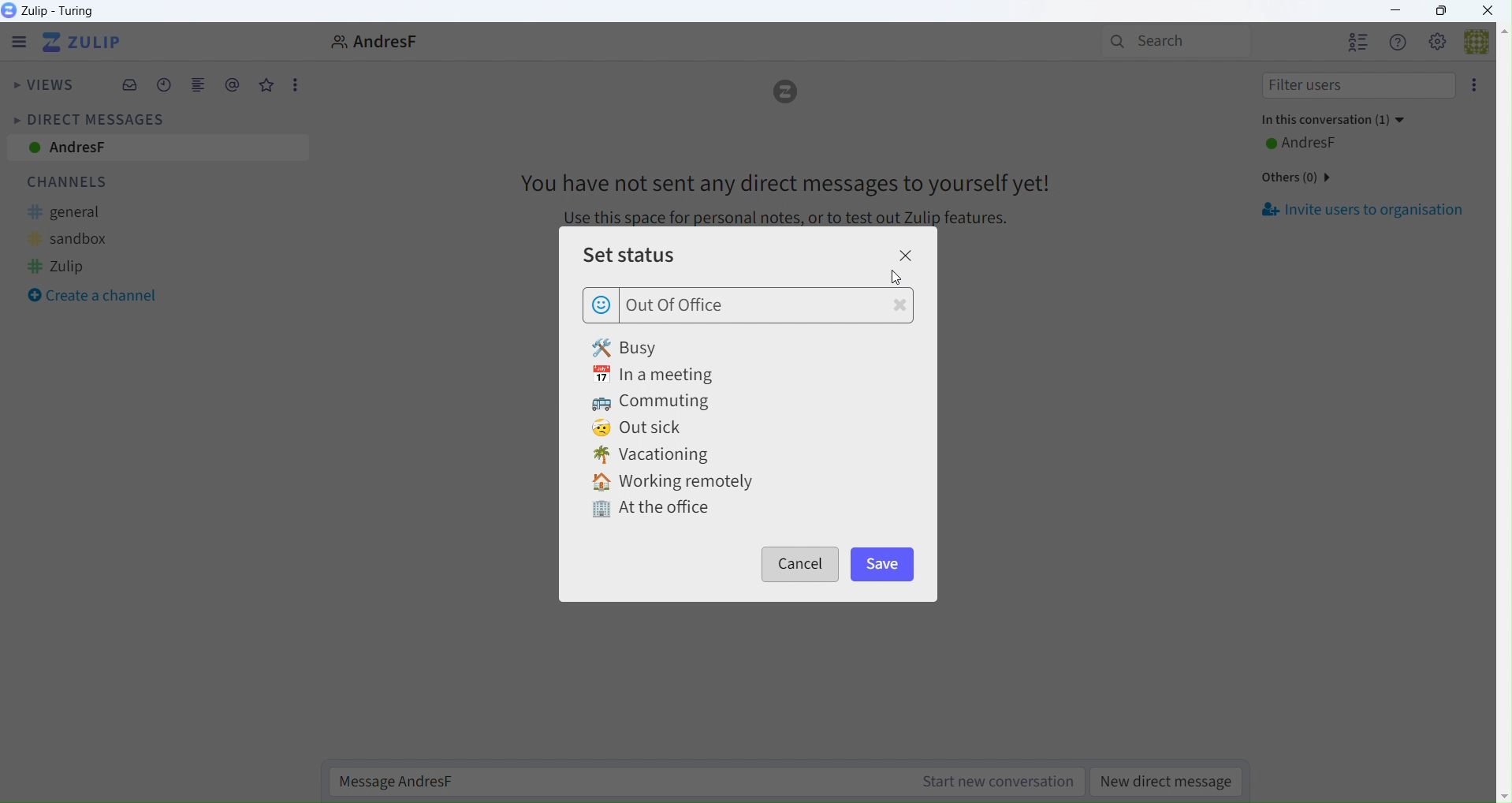  Describe the element at coordinates (896, 278) in the screenshot. I see `cursor` at that location.